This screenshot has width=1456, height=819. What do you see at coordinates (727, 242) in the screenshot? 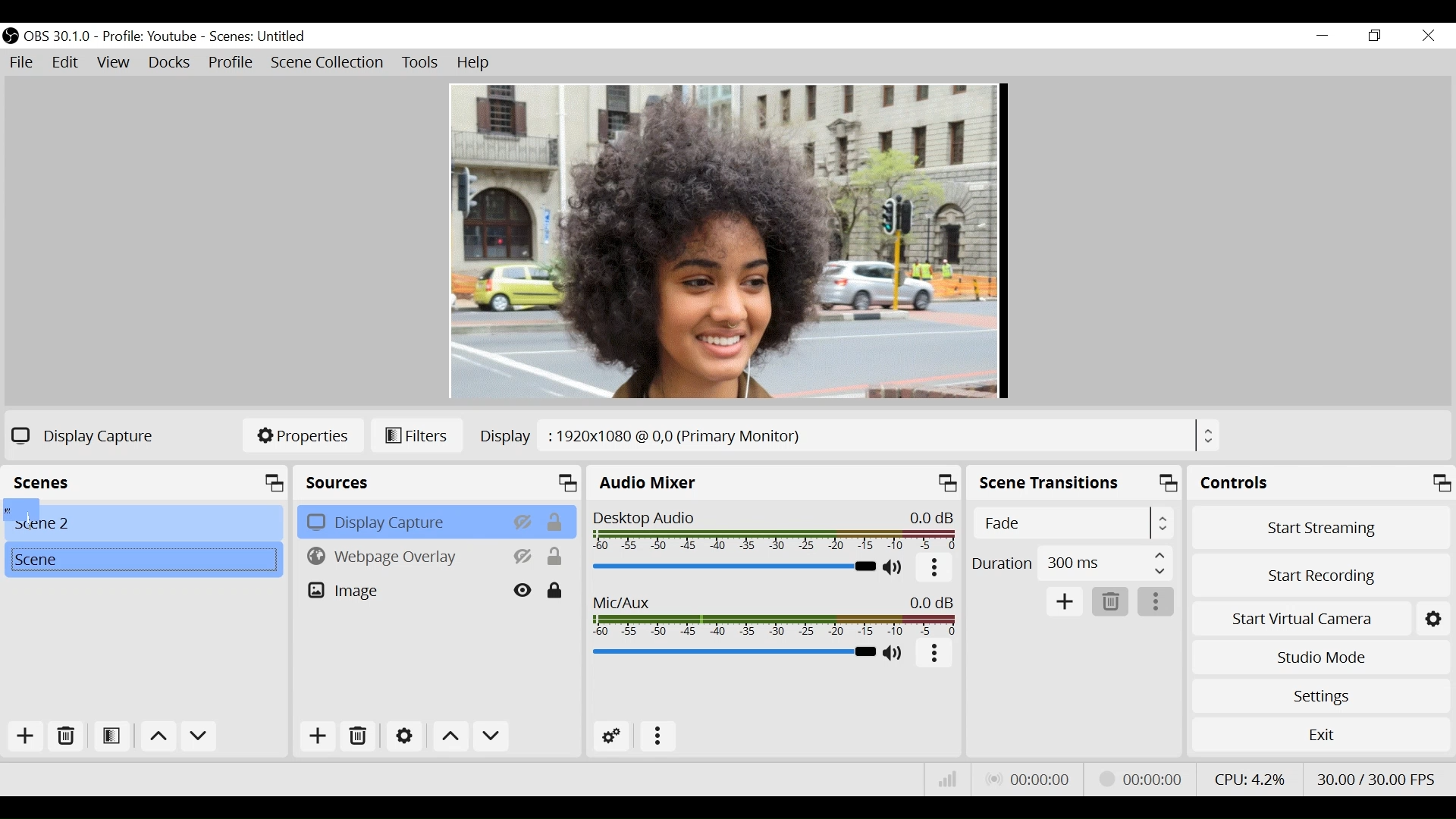
I see `Preview` at bounding box center [727, 242].